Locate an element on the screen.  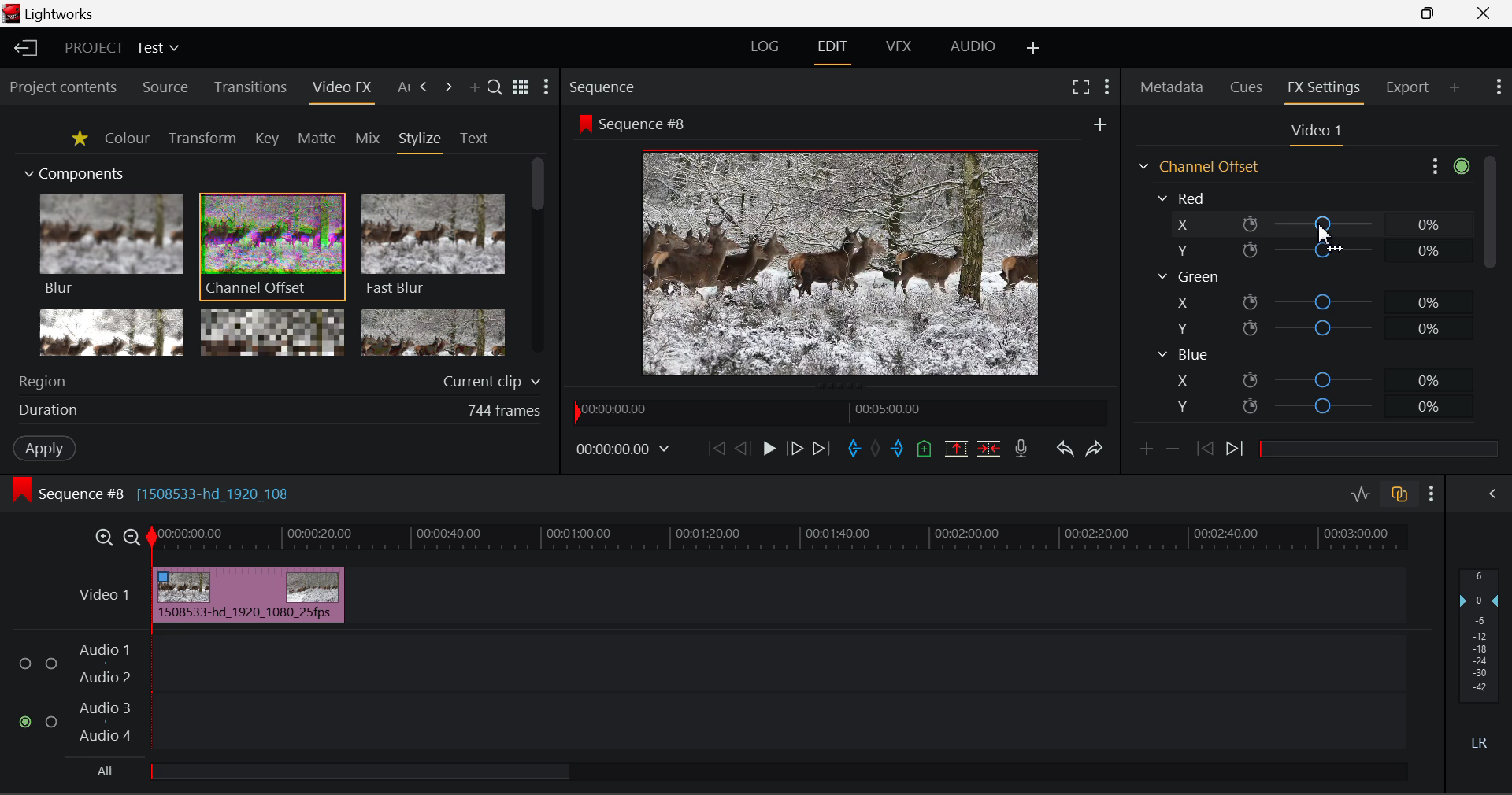
Red is located at coordinates (1184, 197).